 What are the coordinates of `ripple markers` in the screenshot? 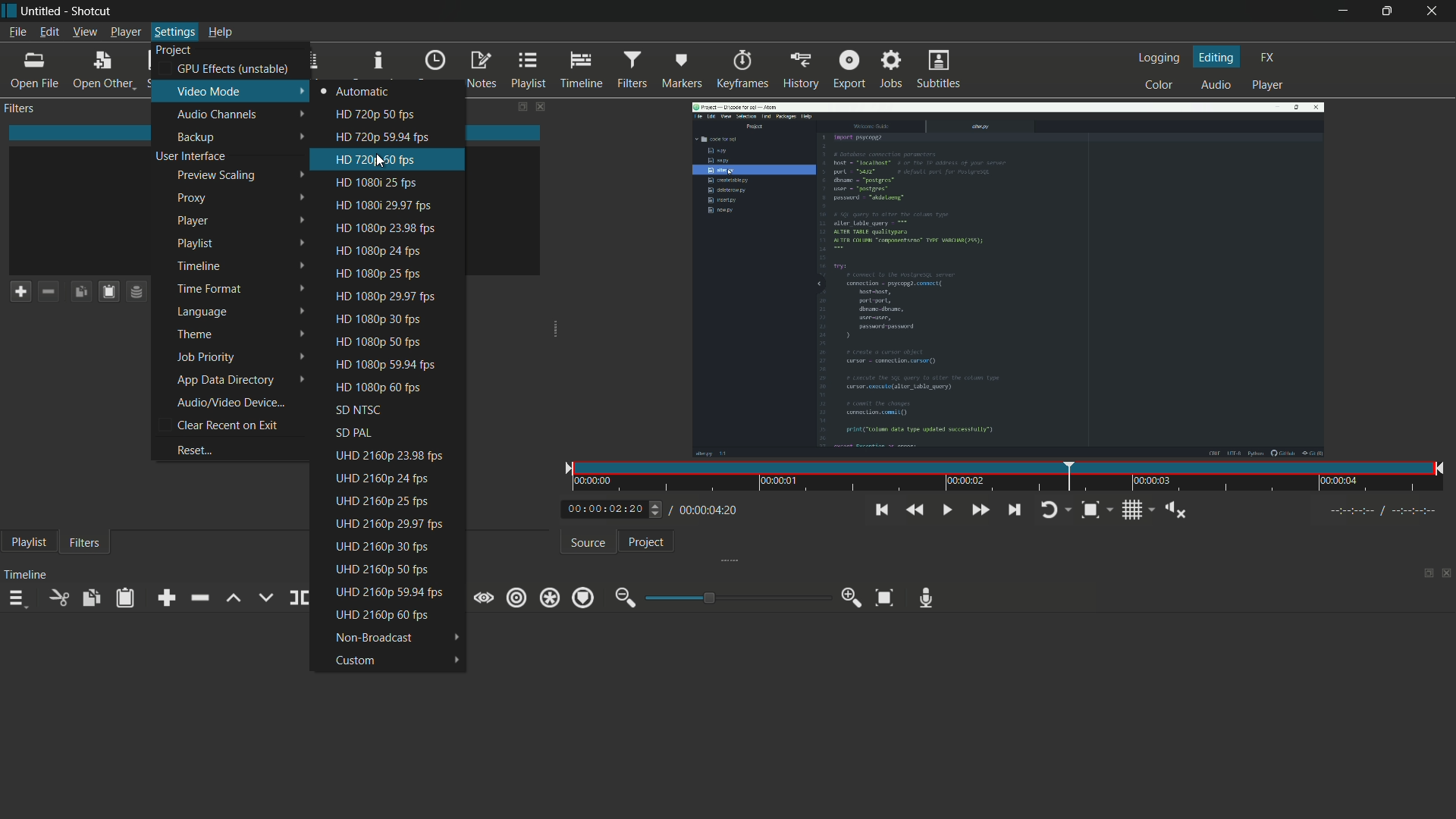 It's located at (582, 598).